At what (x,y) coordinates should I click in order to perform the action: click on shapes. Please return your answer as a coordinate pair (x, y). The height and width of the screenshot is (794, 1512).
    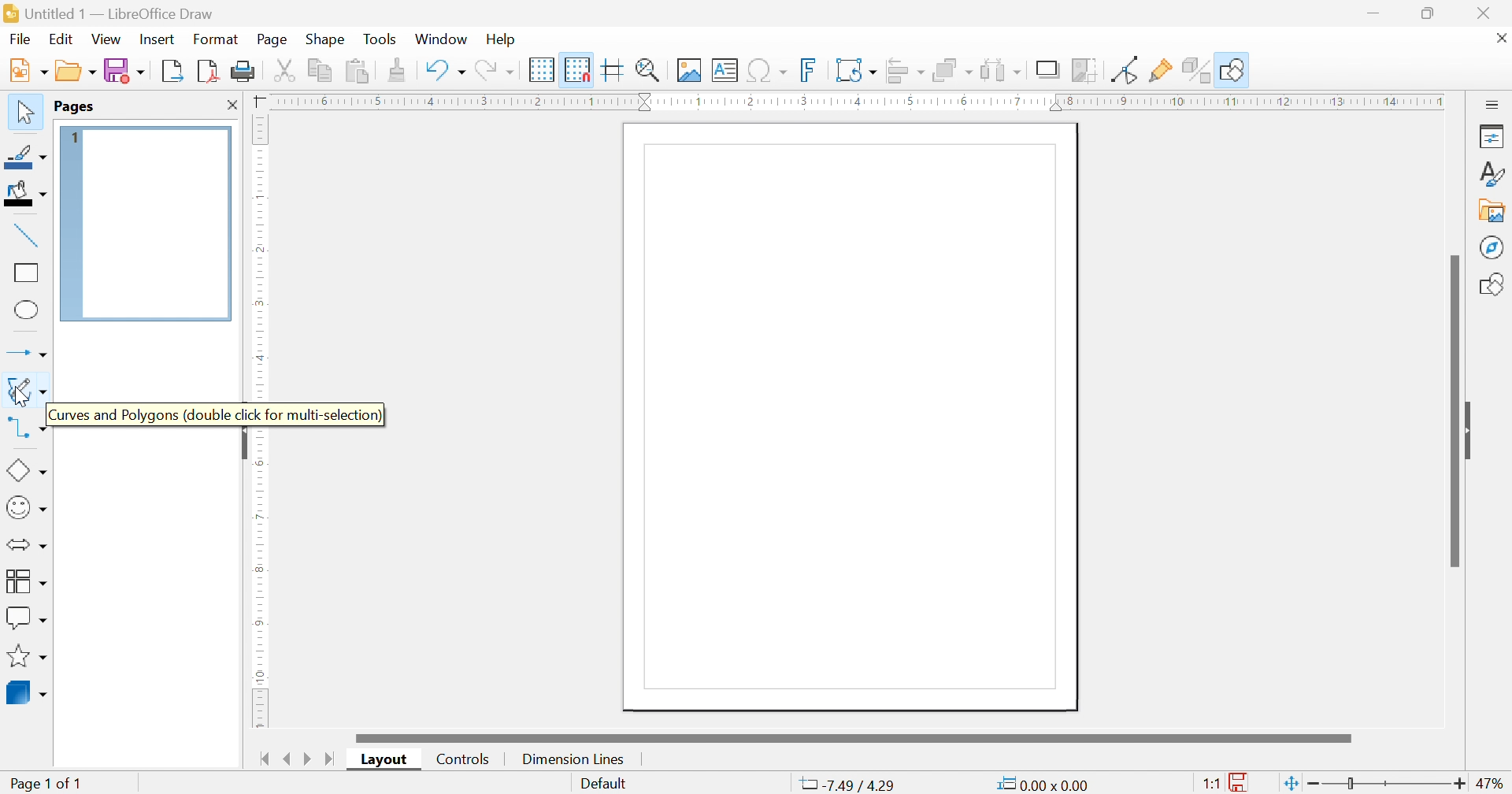
    Looking at the image, I should click on (1493, 286).